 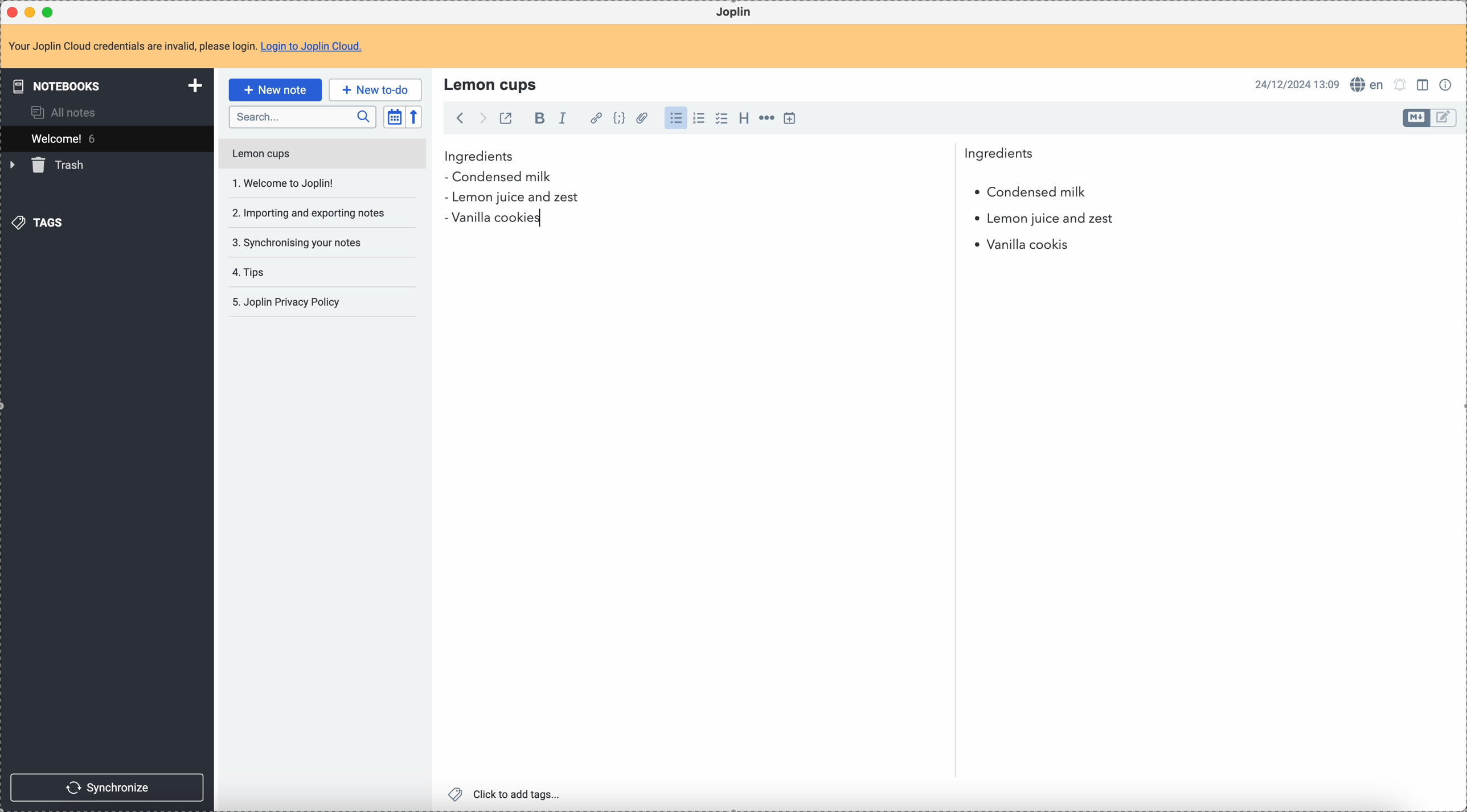 What do you see at coordinates (1448, 84) in the screenshot?
I see `note properties` at bounding box center [1448, 84].